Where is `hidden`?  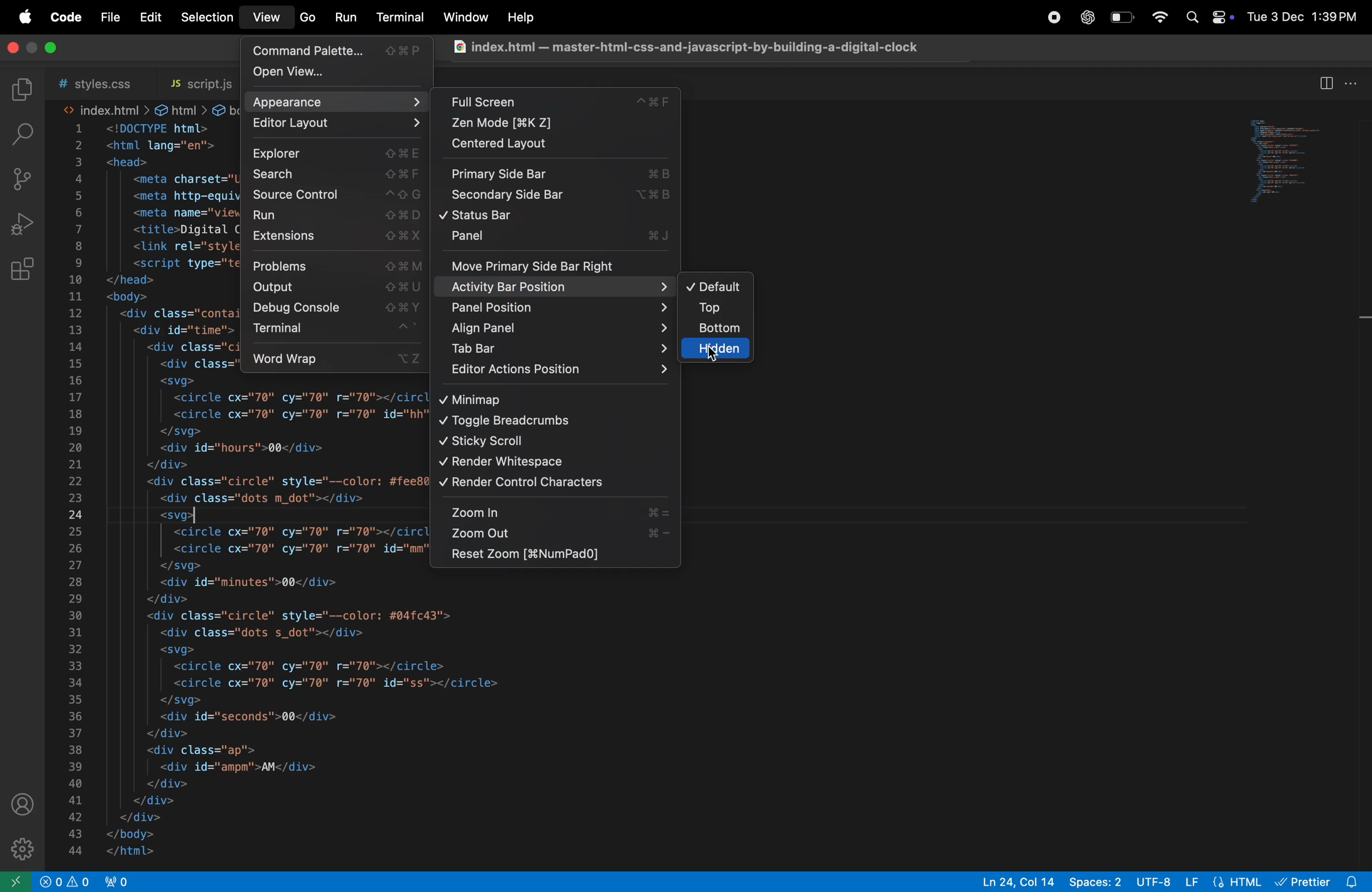 hidden is located at coordinates (718, 349).